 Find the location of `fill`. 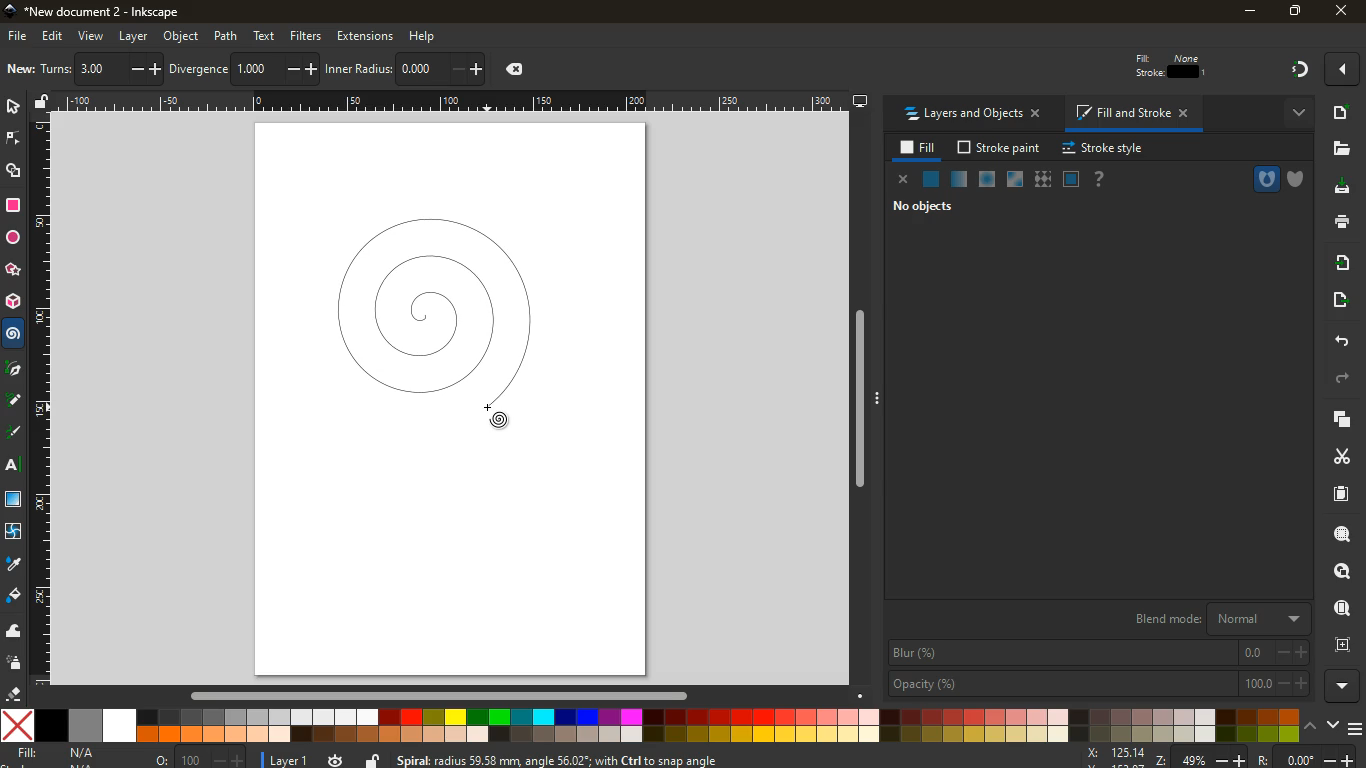

fill is located at coordinates (12, 596).